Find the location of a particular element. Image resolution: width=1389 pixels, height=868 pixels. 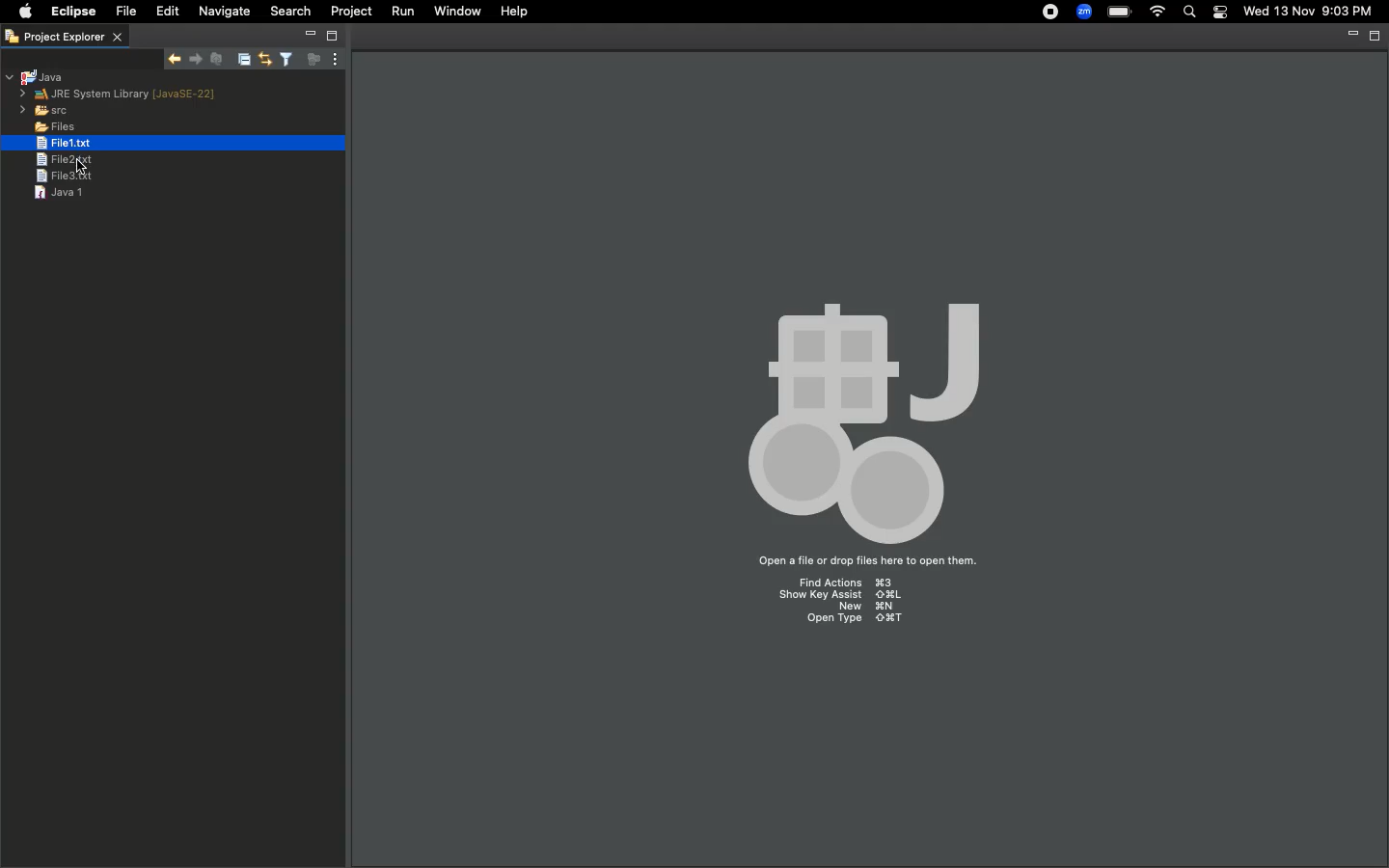

Simultaneously selecting file  is located at coordinates (68, 159).